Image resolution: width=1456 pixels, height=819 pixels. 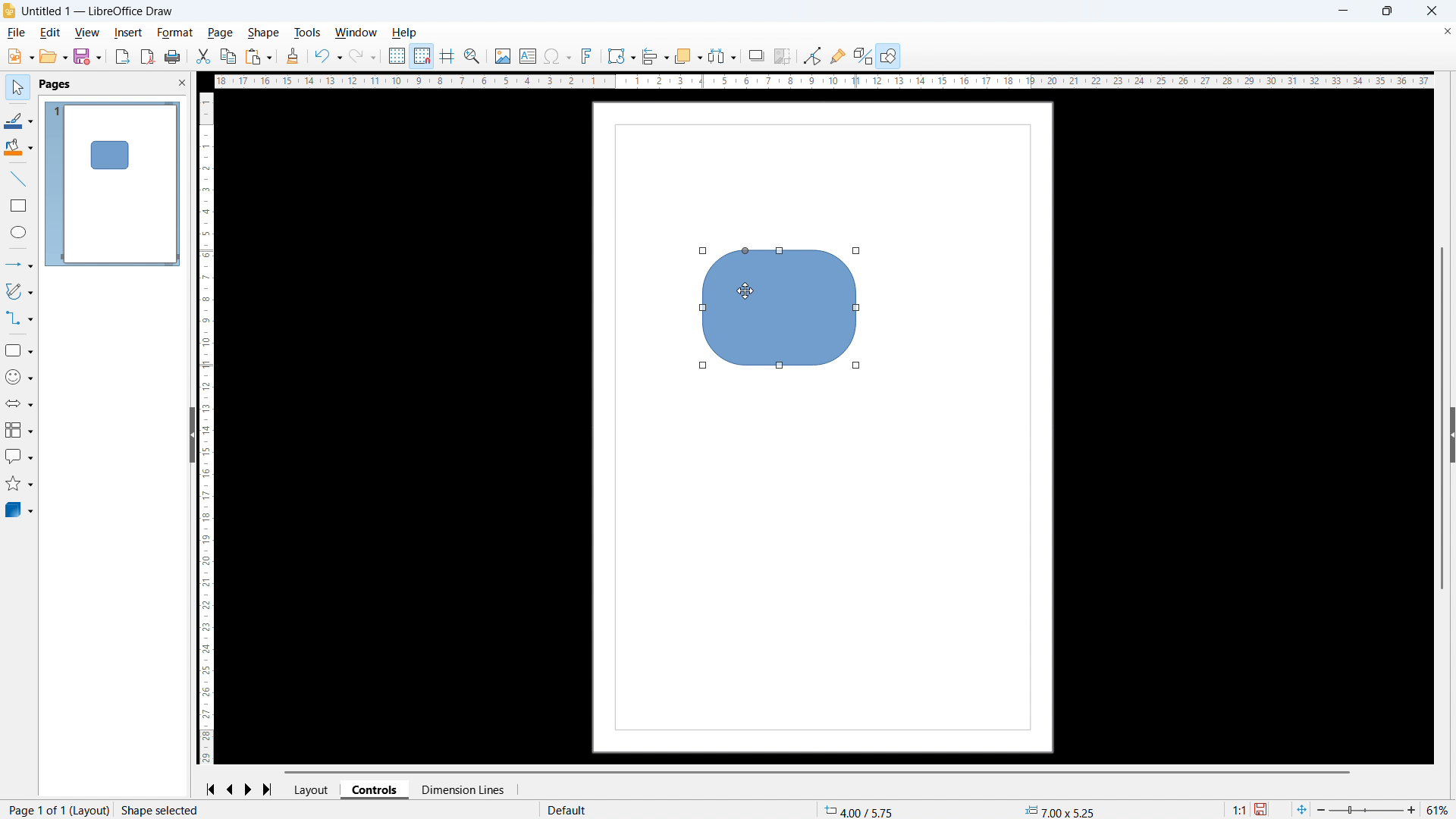 What do you see at coordinates (406, 33) in the screenshot?
I see `Help ` at bounding box center [406, 33].